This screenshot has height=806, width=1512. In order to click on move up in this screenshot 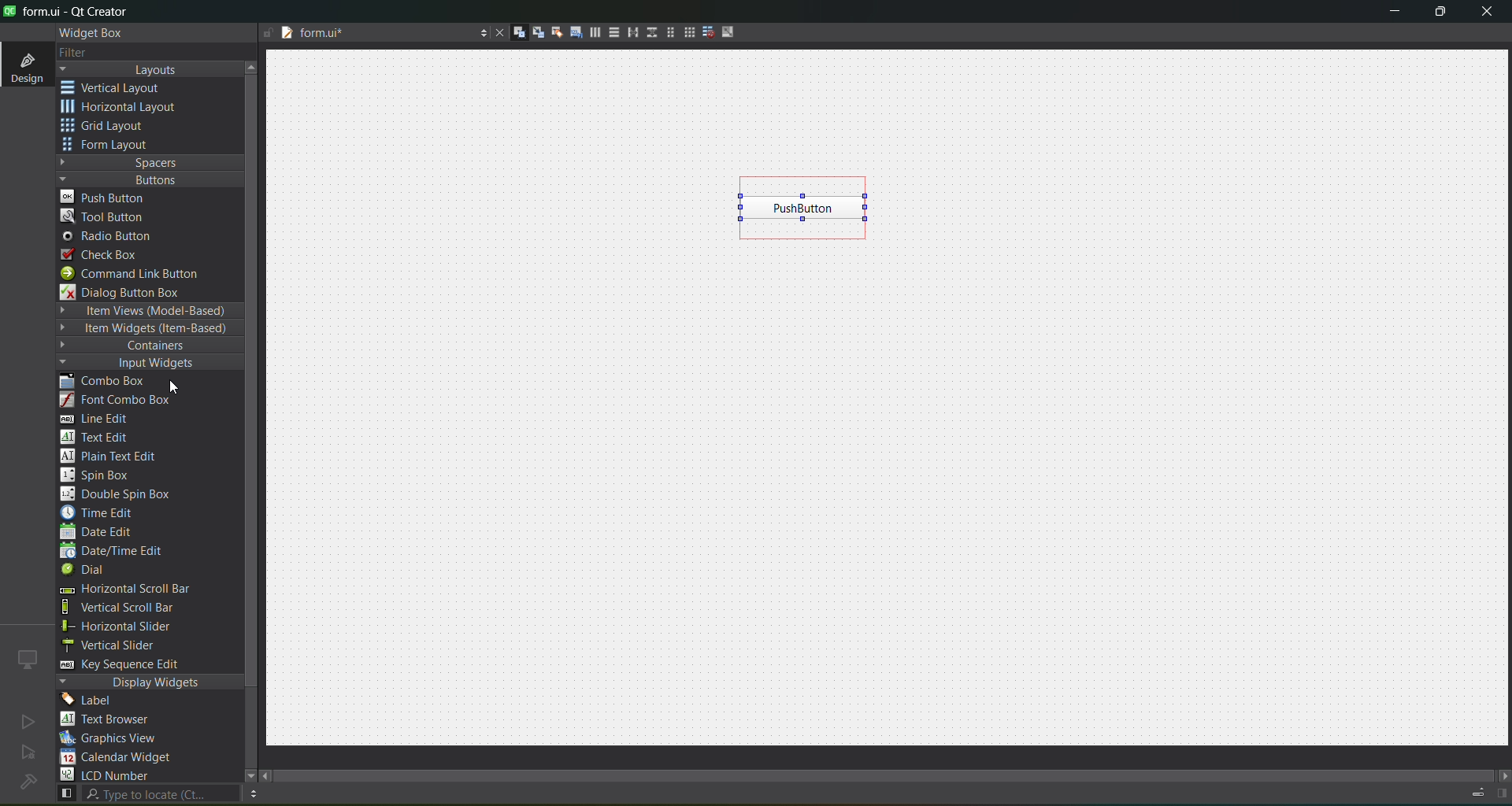, I will do `click(254, 65)`.